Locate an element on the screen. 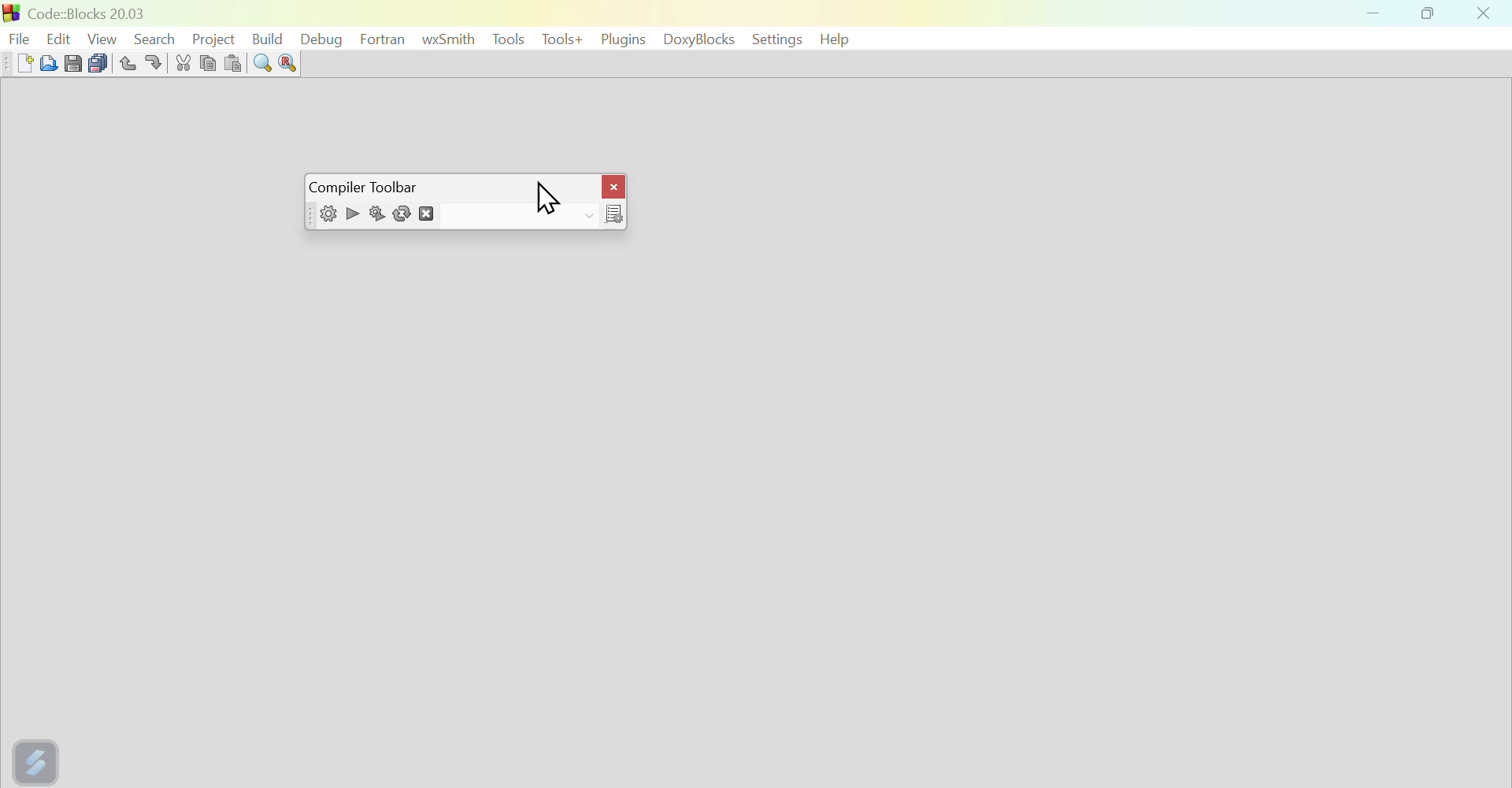 The height and width of the screenshot is (788, 1512). Close is located at coordinates (610, 182).